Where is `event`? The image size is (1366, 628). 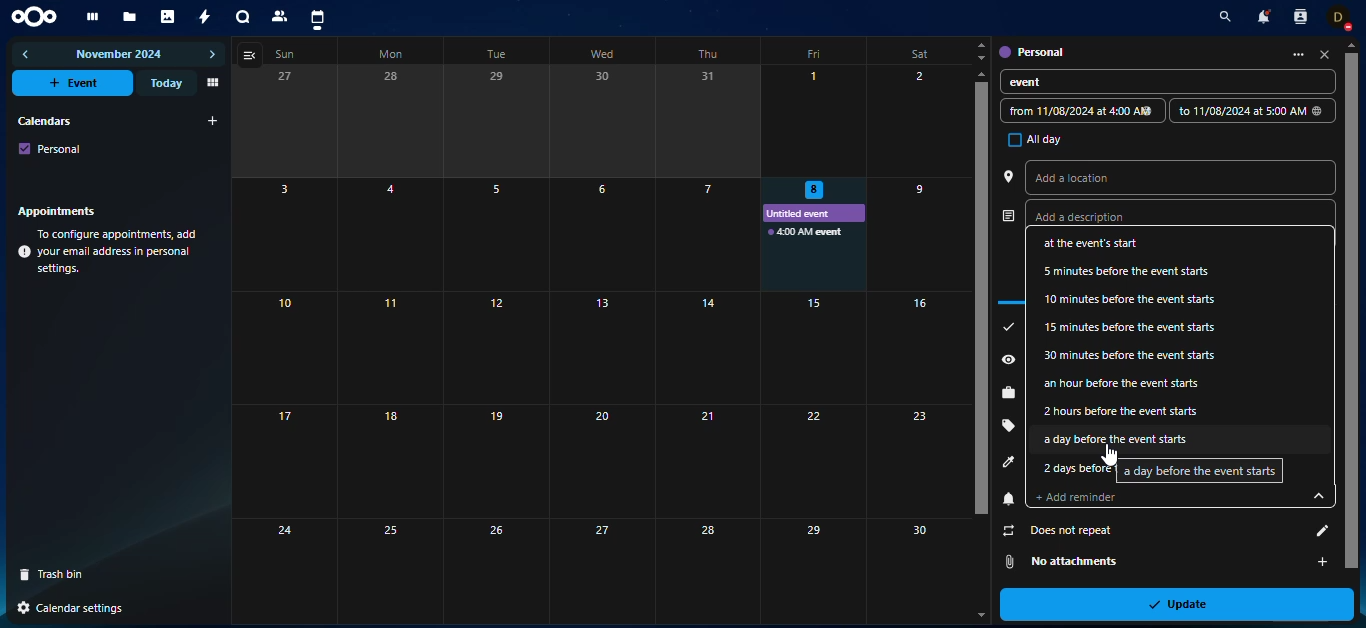
event is located at coordinates (75, 83).